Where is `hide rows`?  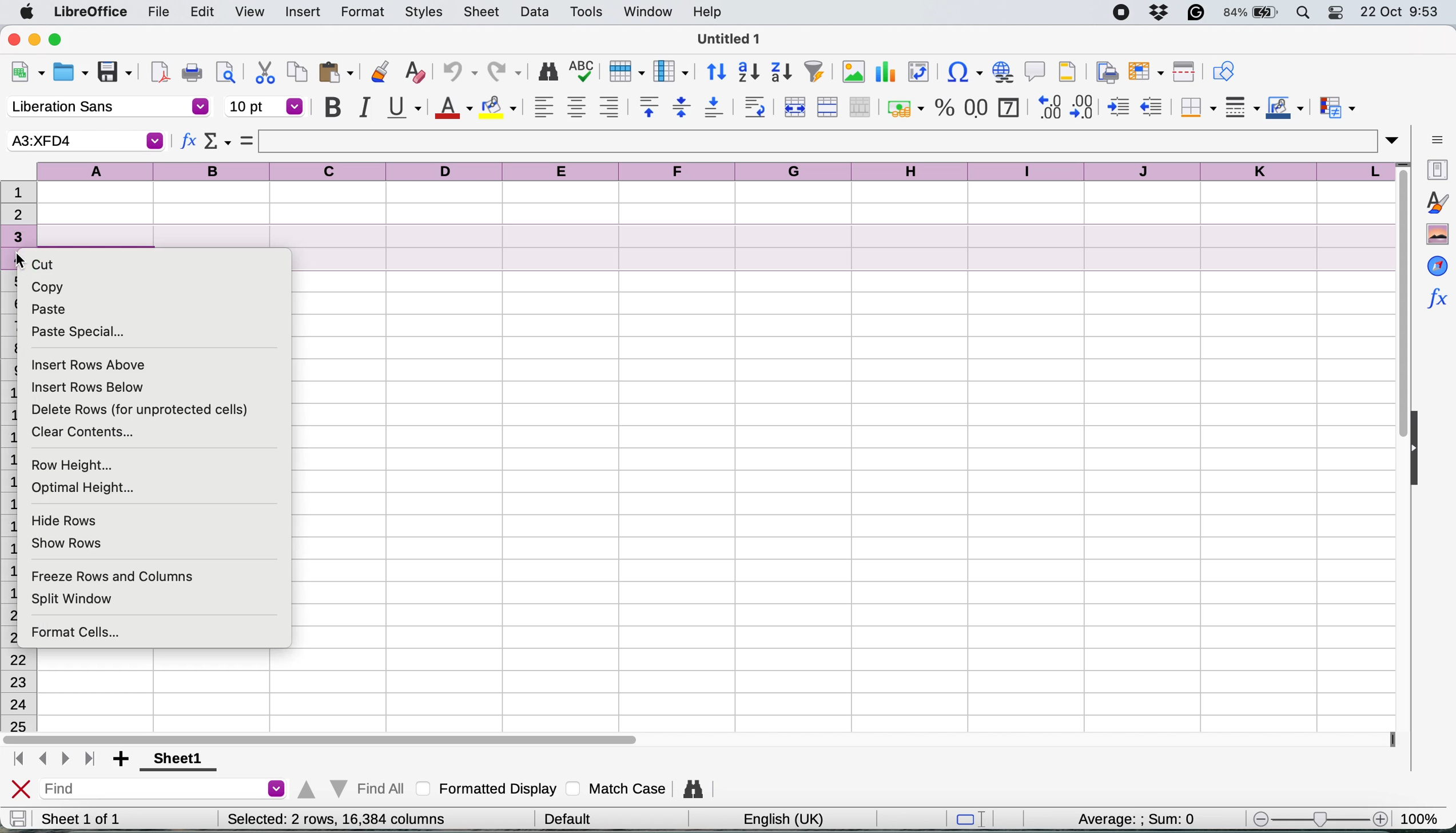 hide rows is located at coordinates (67, 518).